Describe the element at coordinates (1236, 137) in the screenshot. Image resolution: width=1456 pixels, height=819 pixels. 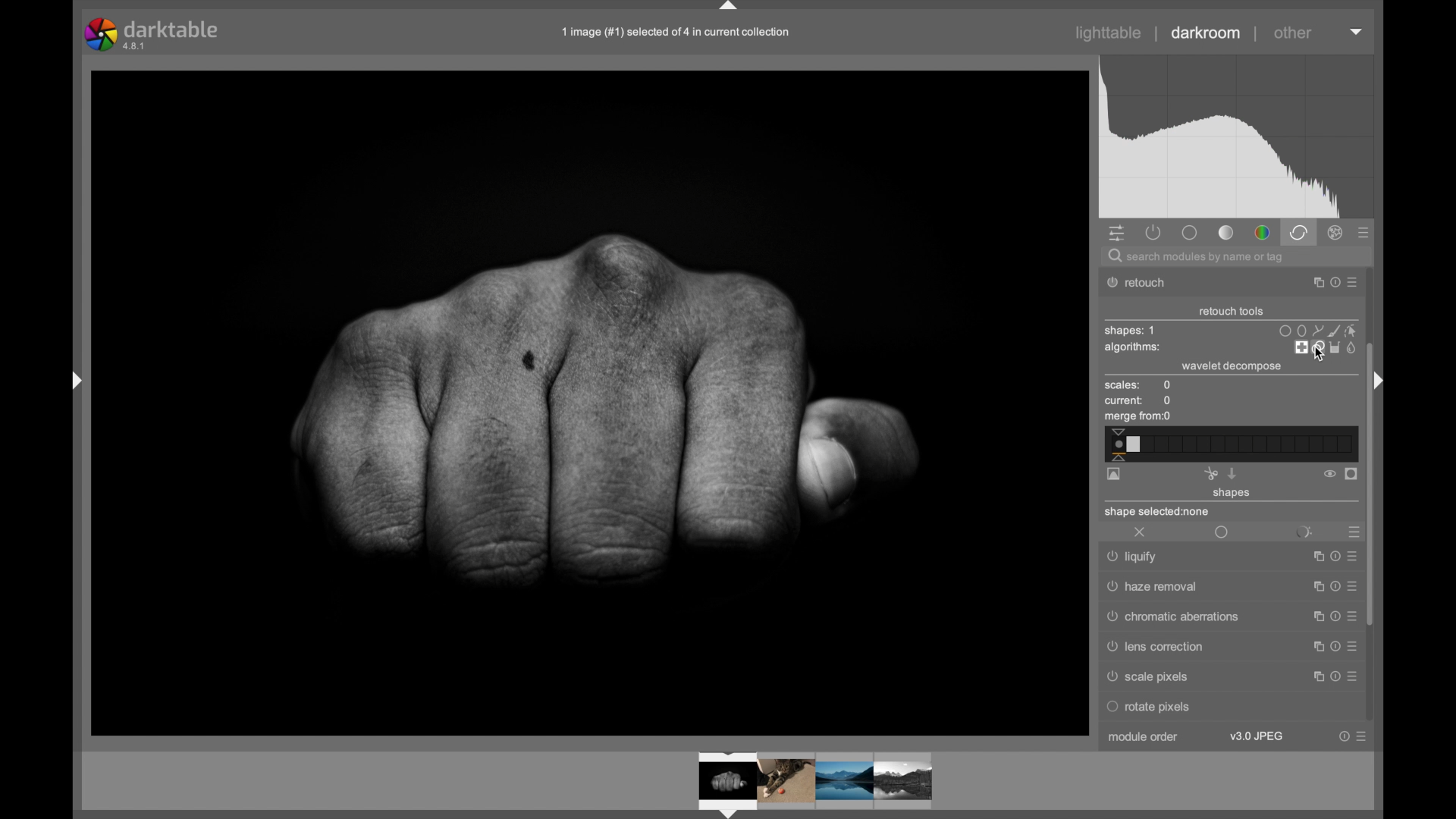
I see `histogram` at that location.